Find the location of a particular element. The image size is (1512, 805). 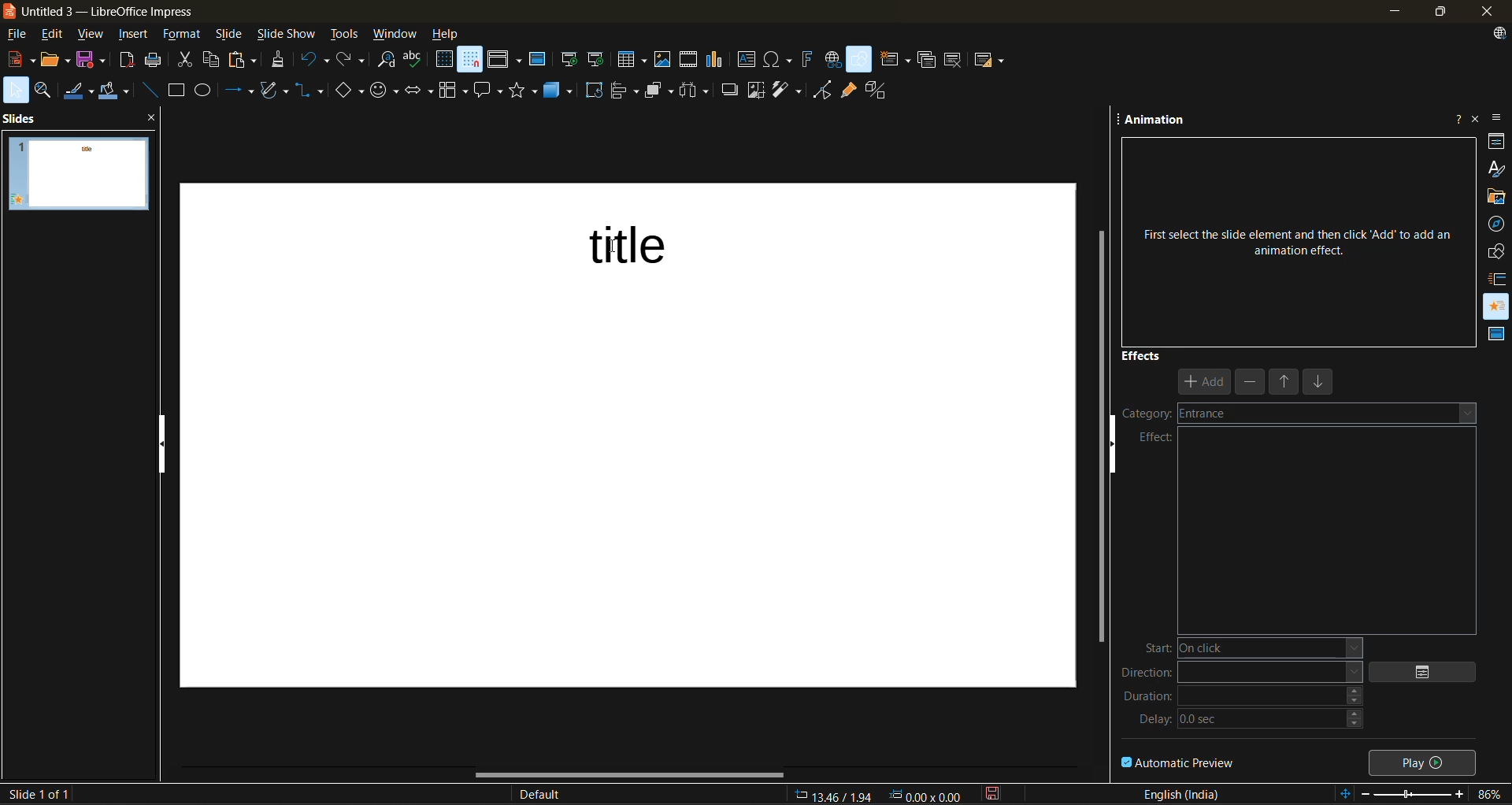

navigator is located at coordinates (1497, 224).